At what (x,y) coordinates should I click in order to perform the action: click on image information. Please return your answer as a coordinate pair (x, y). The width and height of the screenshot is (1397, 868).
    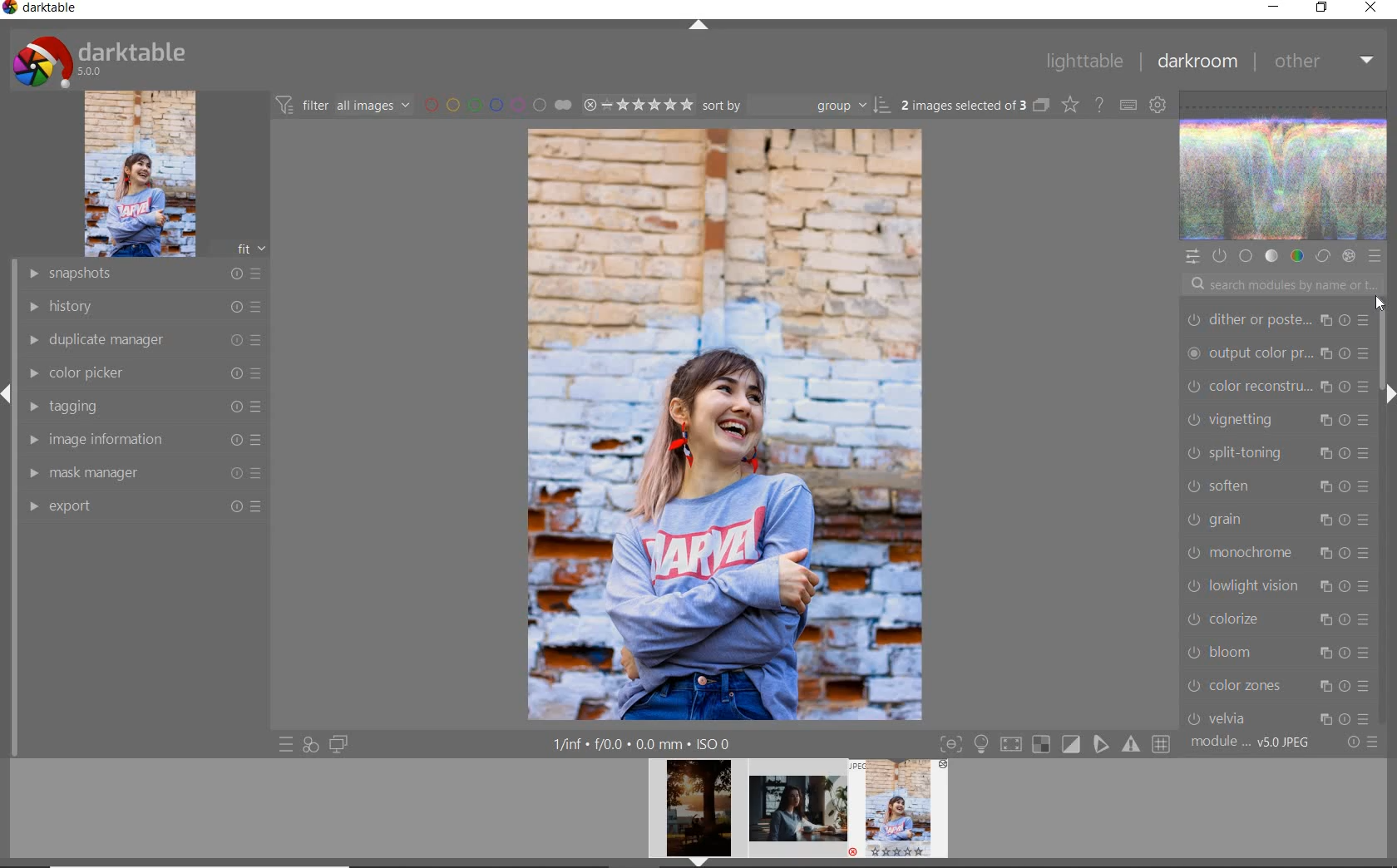
    Looking at the image, I should click on (144, 438).